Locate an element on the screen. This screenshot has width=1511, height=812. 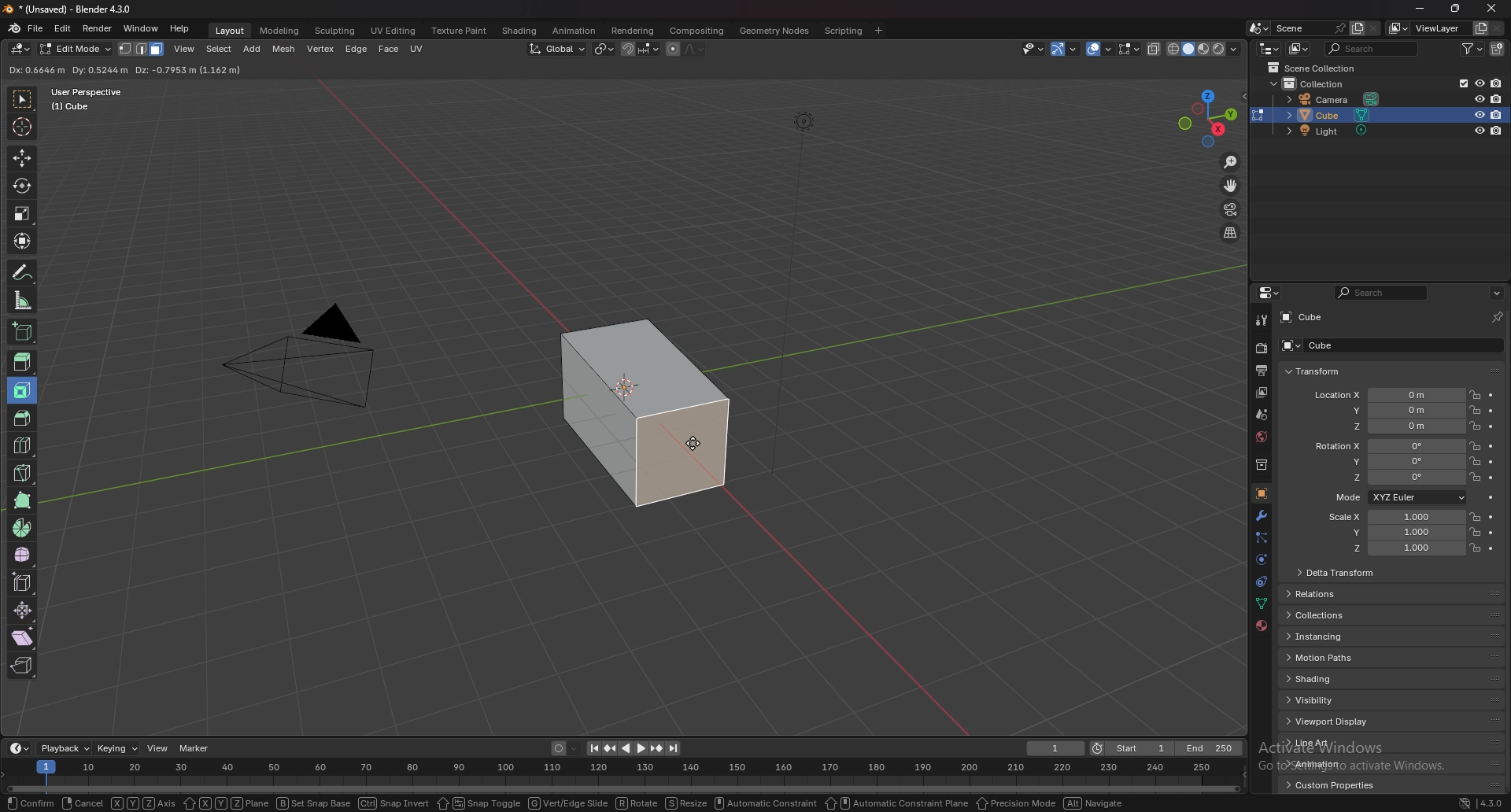
relations is located at coordinates (1320, 594).